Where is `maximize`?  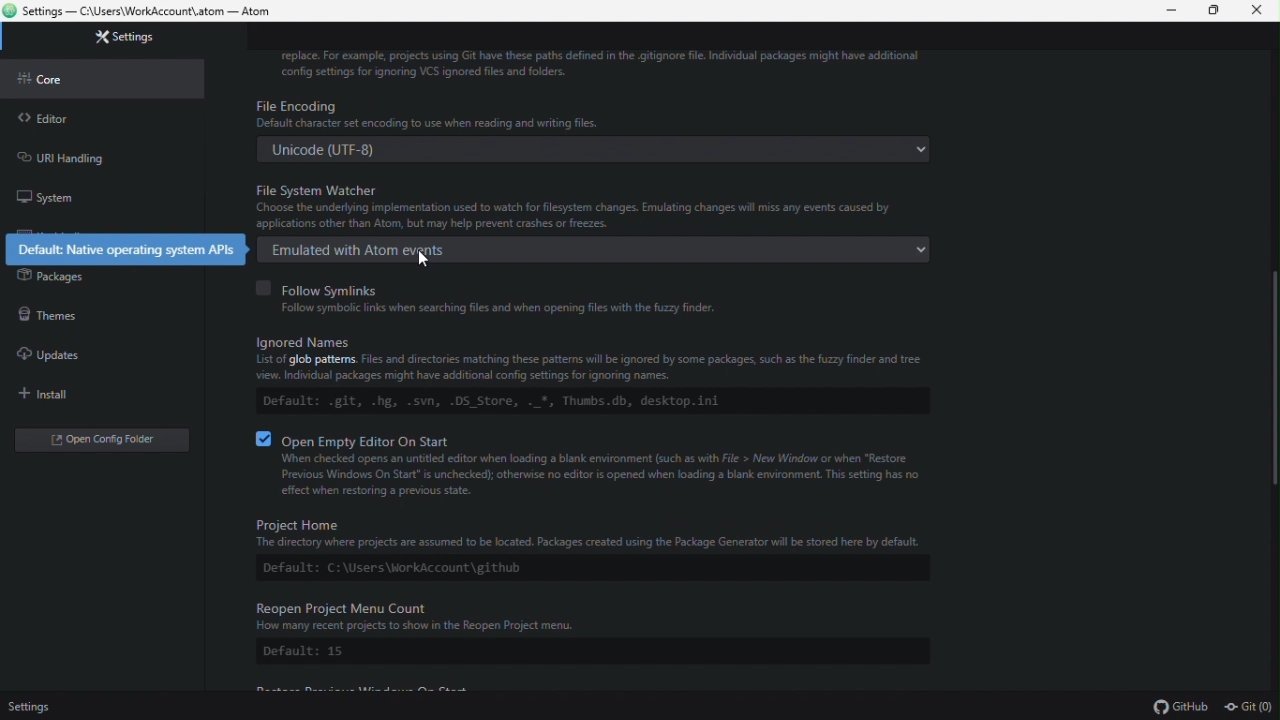 maximize is located at coordinates (1217, 12).